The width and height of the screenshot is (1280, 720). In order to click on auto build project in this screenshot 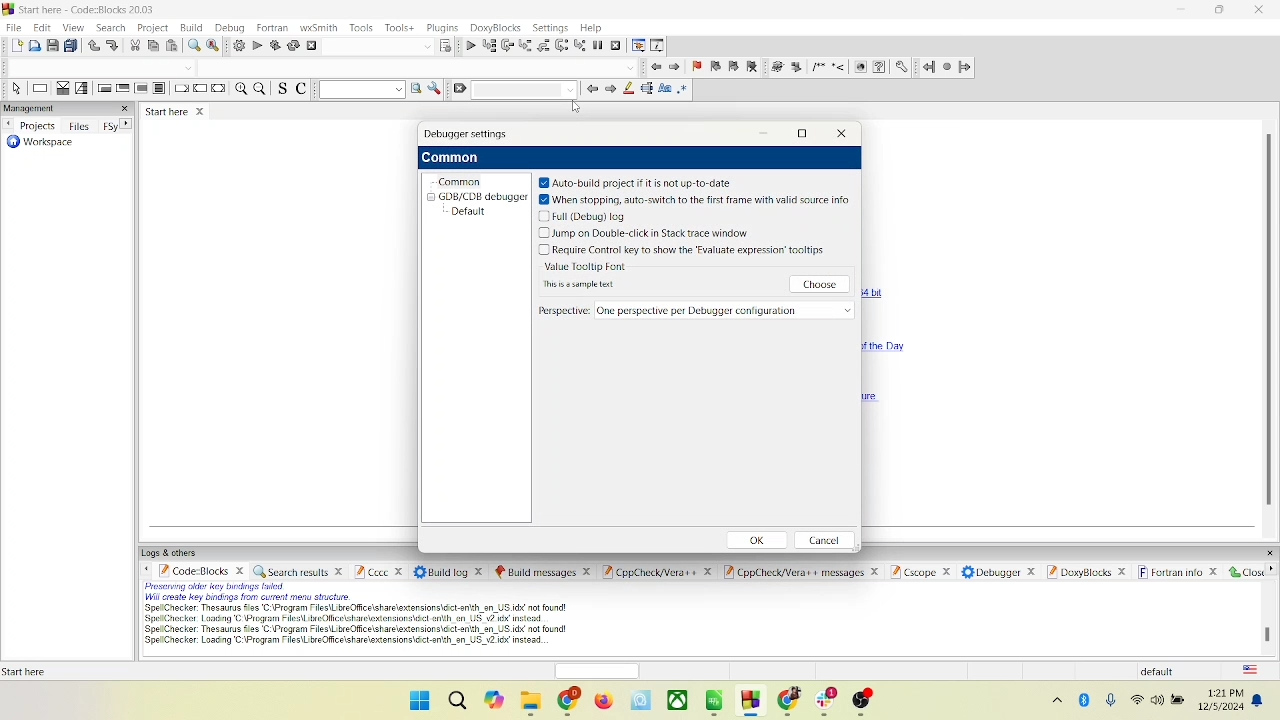, I will do `click(639, 183)`.